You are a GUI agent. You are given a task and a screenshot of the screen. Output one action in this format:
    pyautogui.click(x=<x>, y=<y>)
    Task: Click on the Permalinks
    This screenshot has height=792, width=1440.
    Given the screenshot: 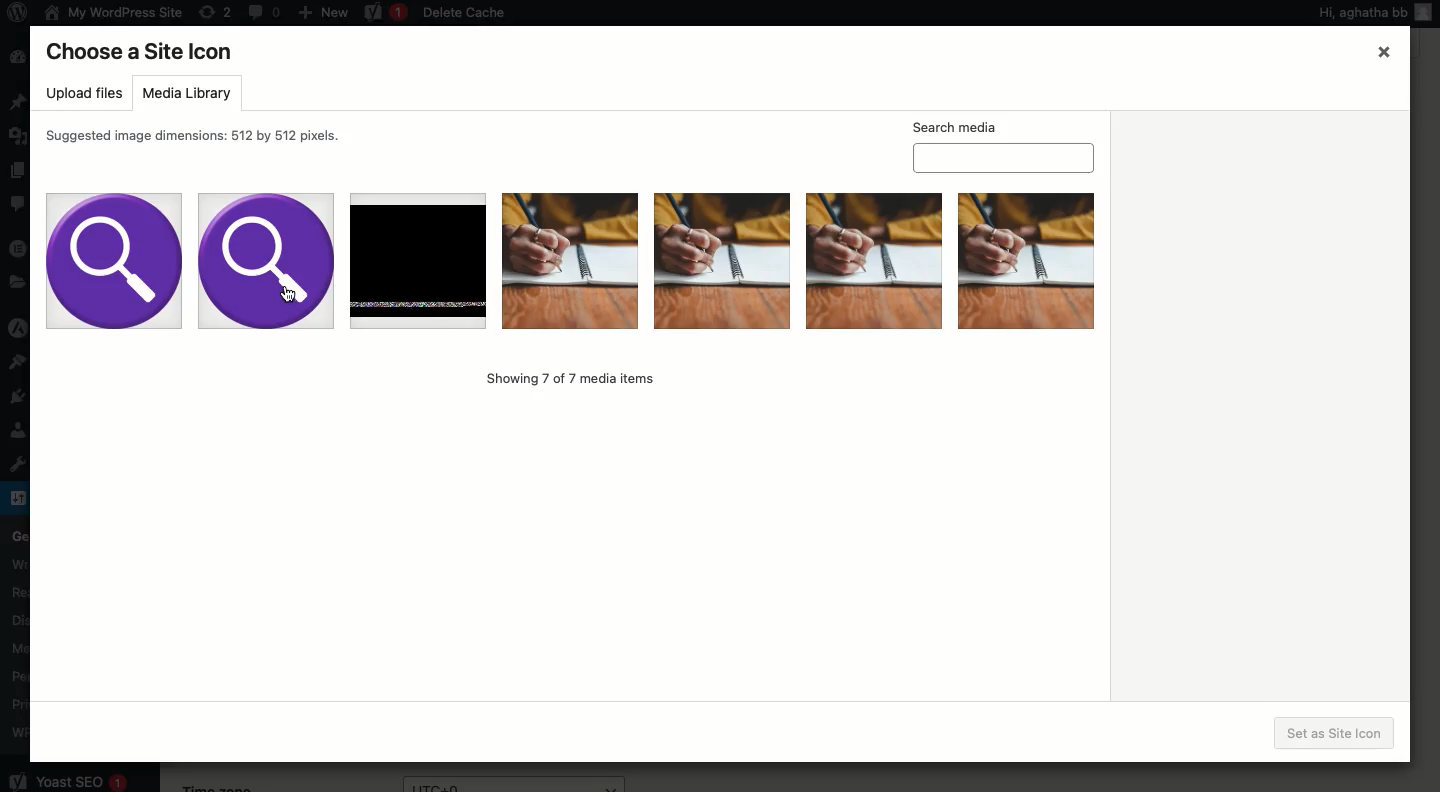 What is the action you would take?
    pyautogui.click(x=25, y=676)
    